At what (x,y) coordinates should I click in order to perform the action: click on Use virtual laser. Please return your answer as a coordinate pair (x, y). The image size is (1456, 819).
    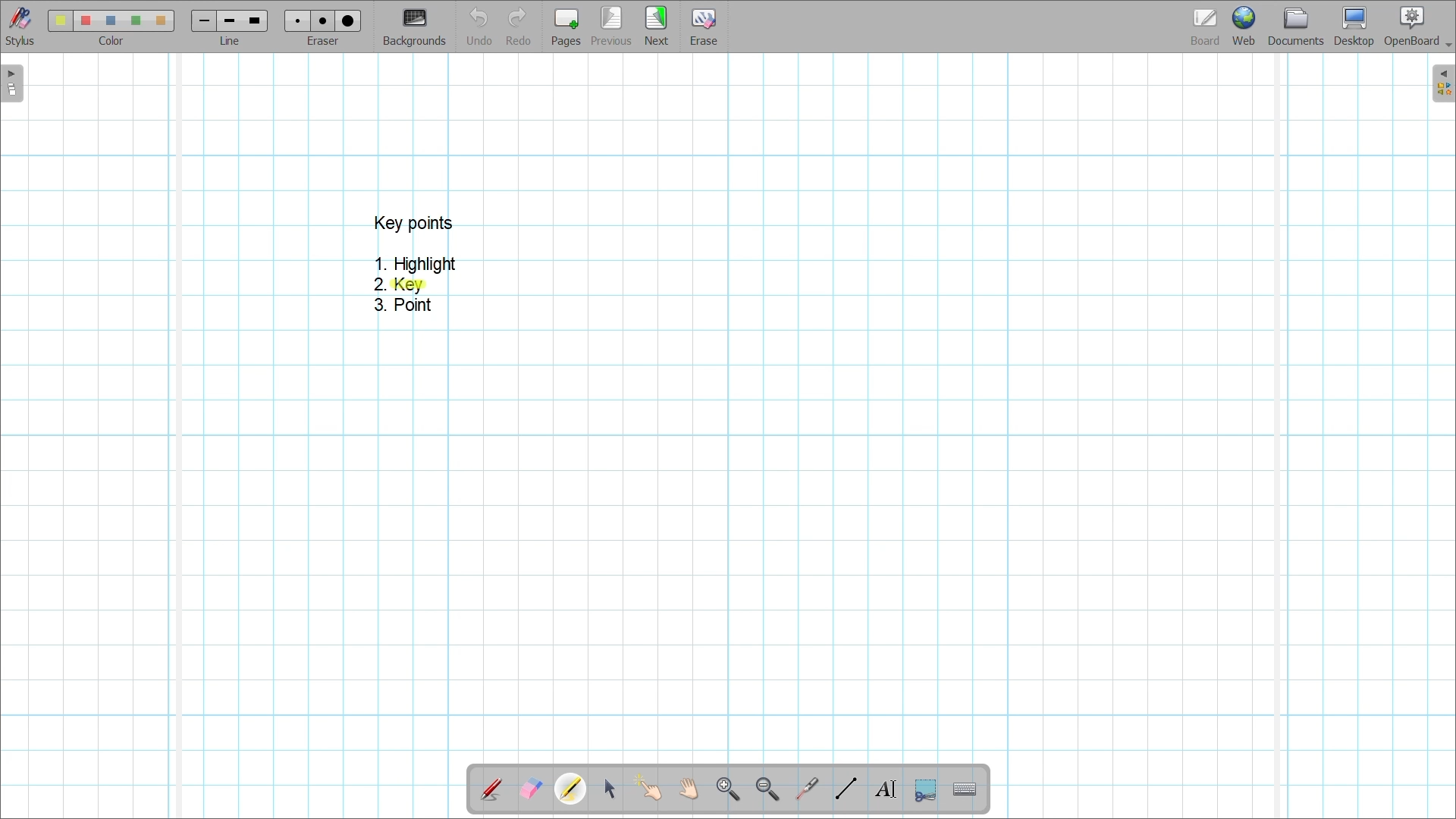
    Looking at the image, I should click on (806, 789).